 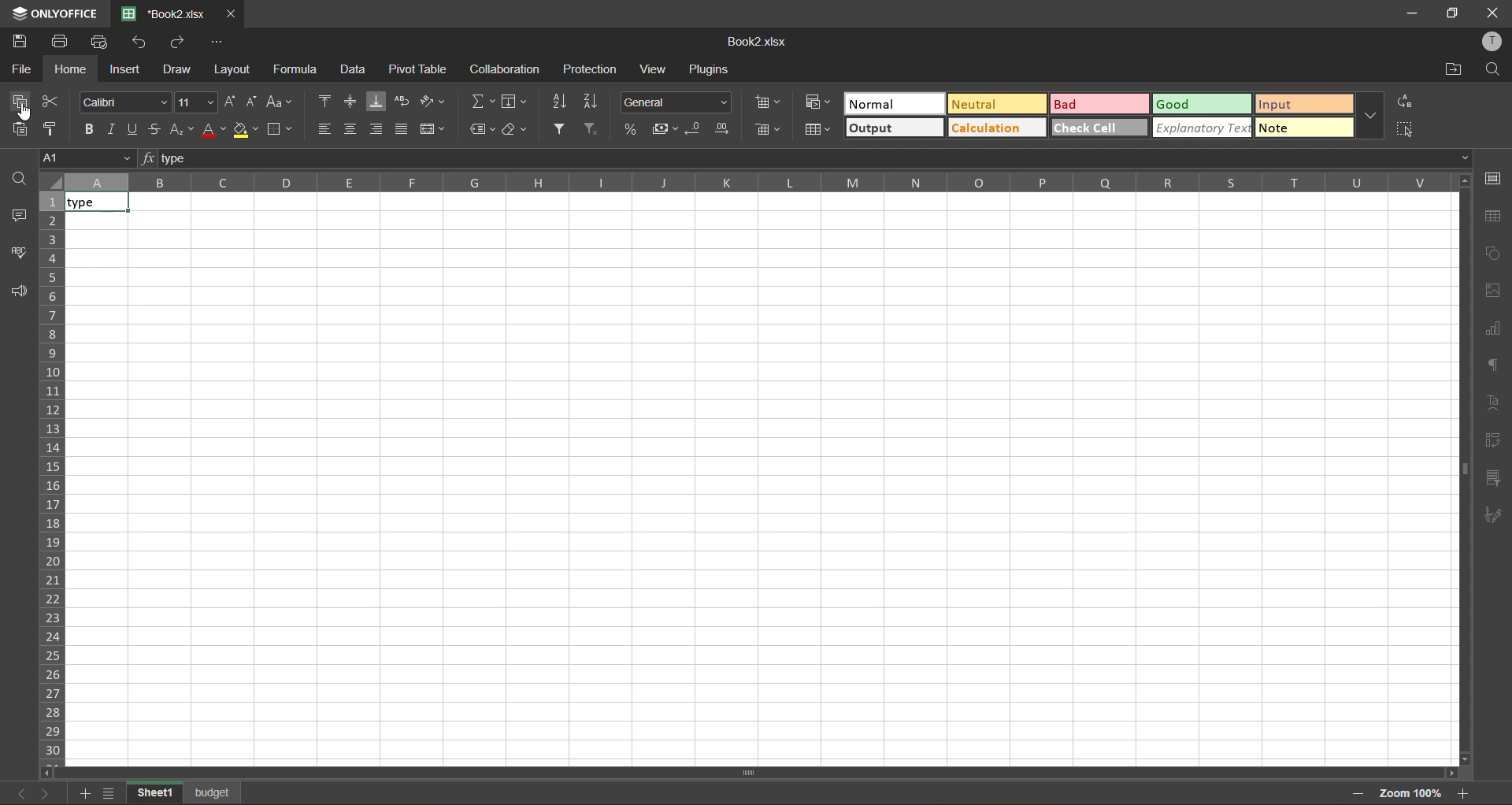 What do you see at coordinates (1492, 292) in the screenshot?
I see `images` at bounding box center [1492, 292].